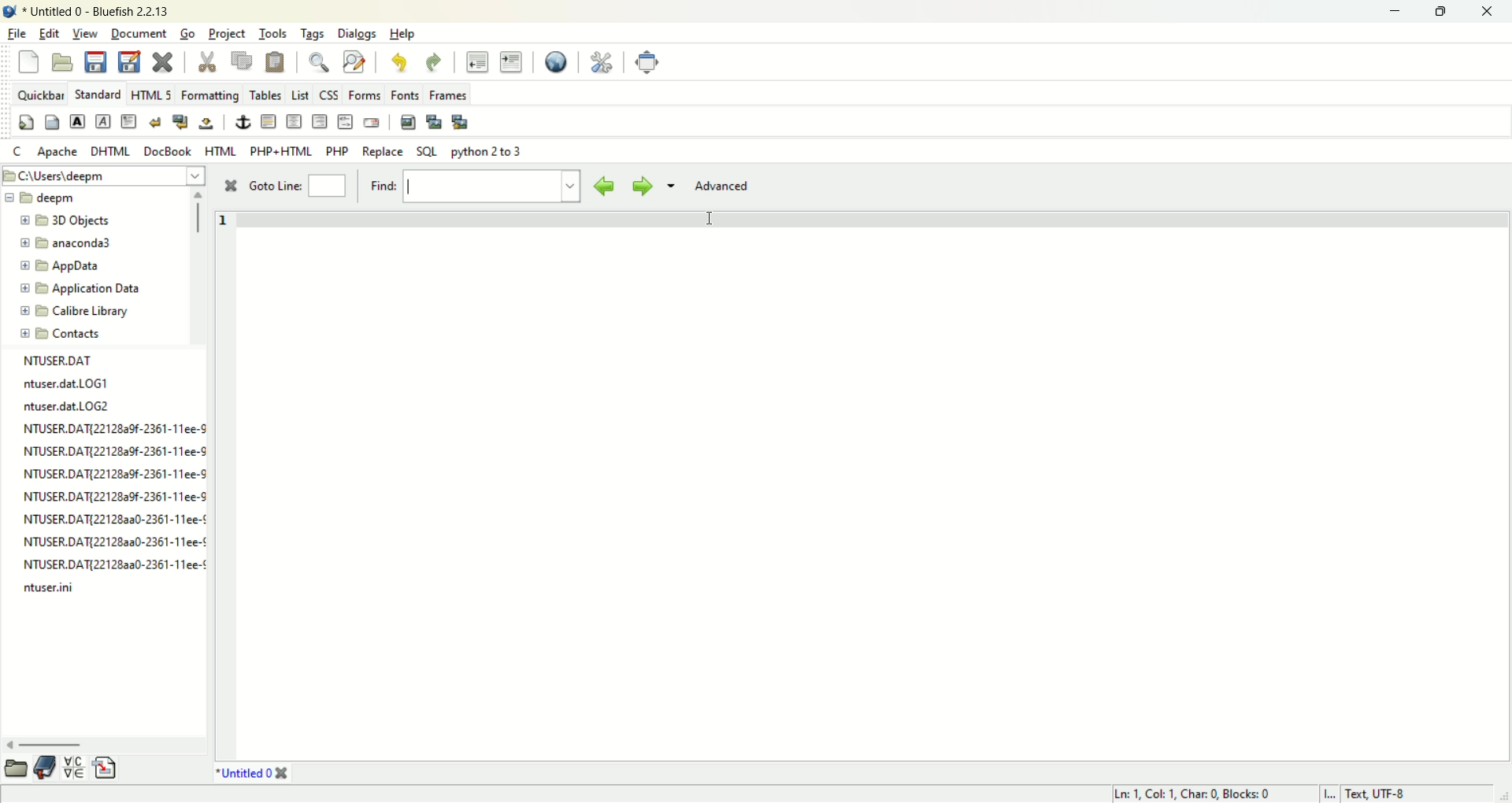 This screenshot has height=803, width=1512. Describe the element at coordinates (1440, 12) in the screenshot. I see `maximize` at that location.